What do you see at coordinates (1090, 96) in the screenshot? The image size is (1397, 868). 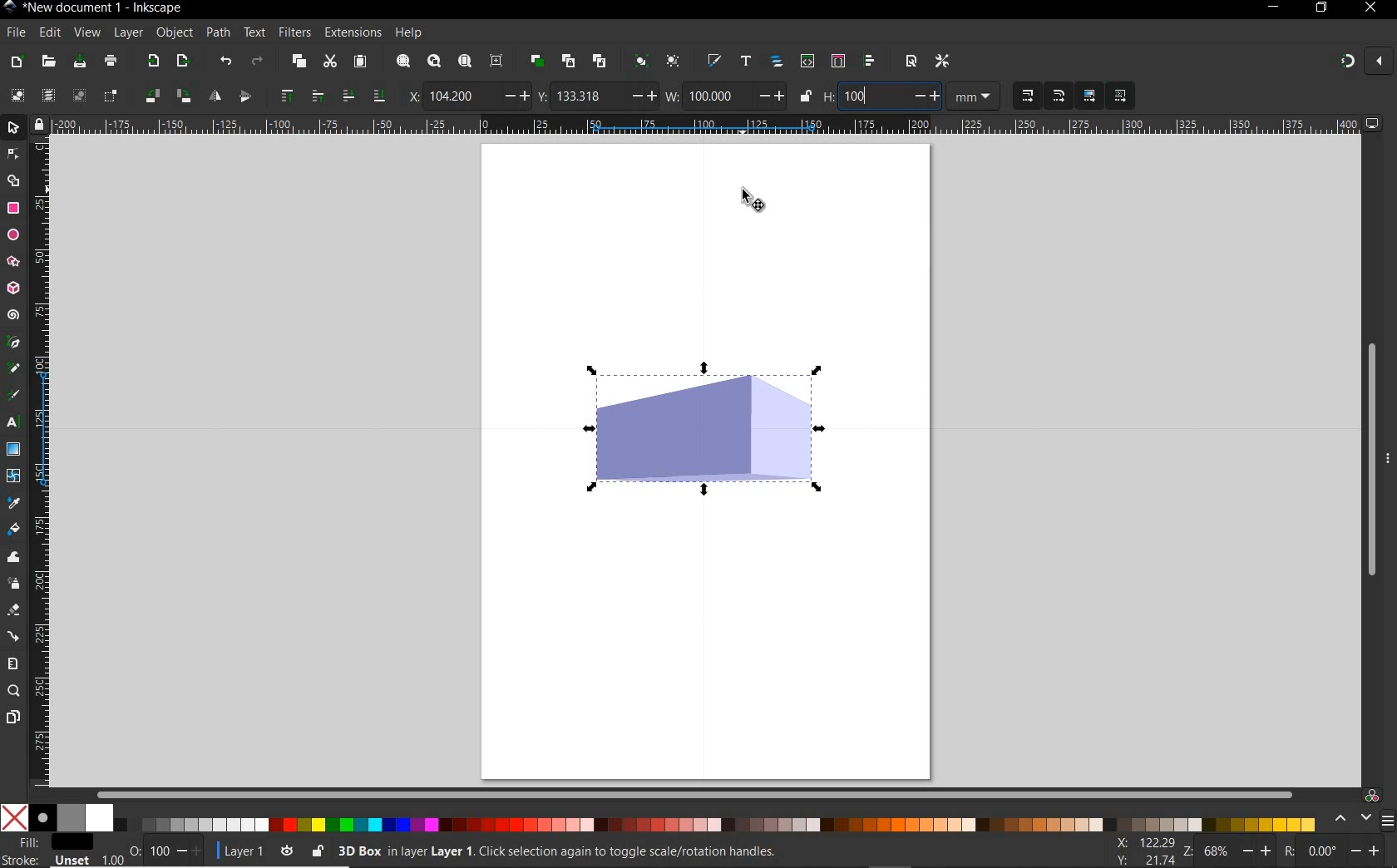 I see `move gradients` at bounding box center [1090, 96].